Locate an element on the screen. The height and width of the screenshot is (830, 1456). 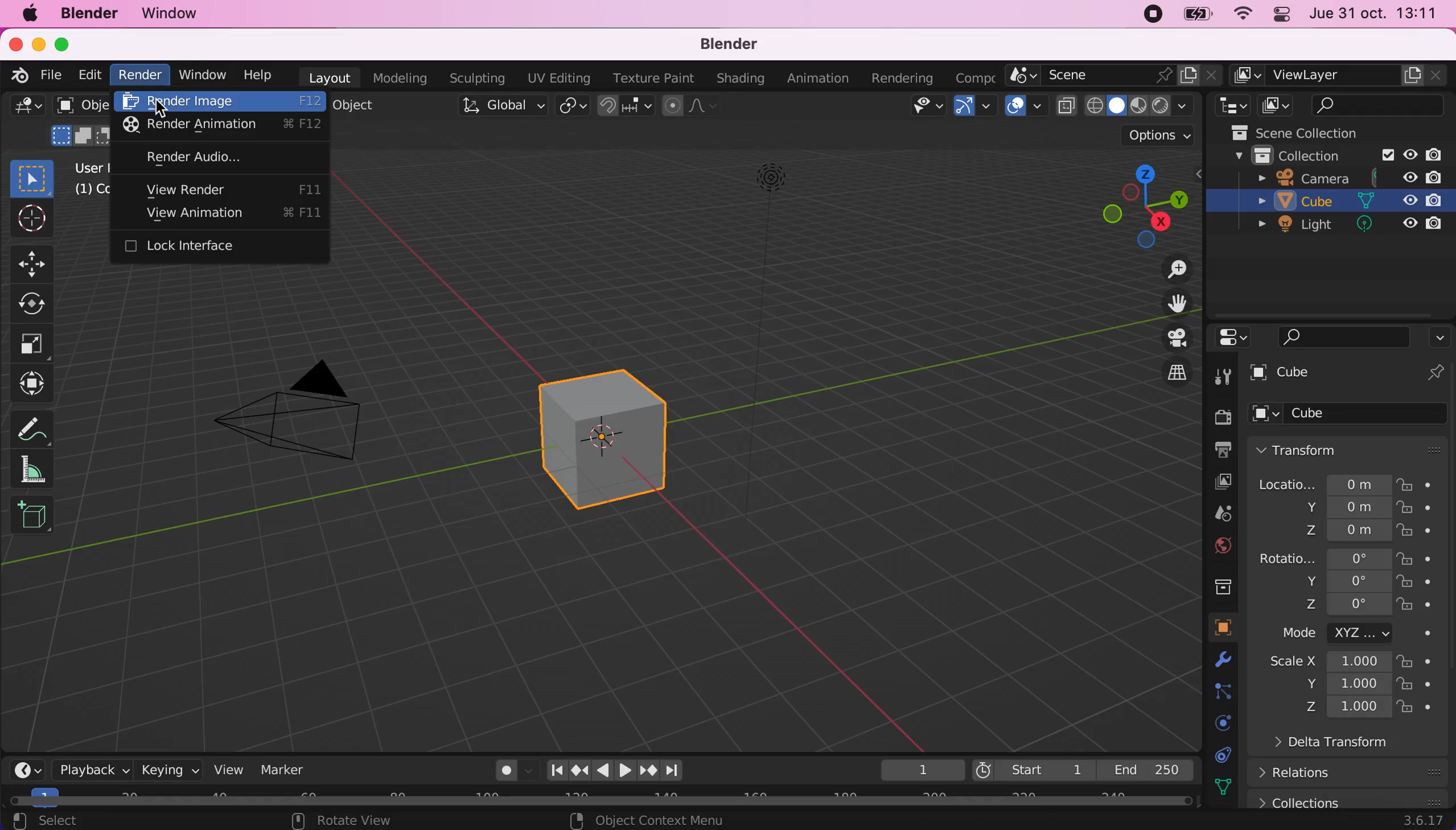
panel control is located at coordinates (1284, 14).